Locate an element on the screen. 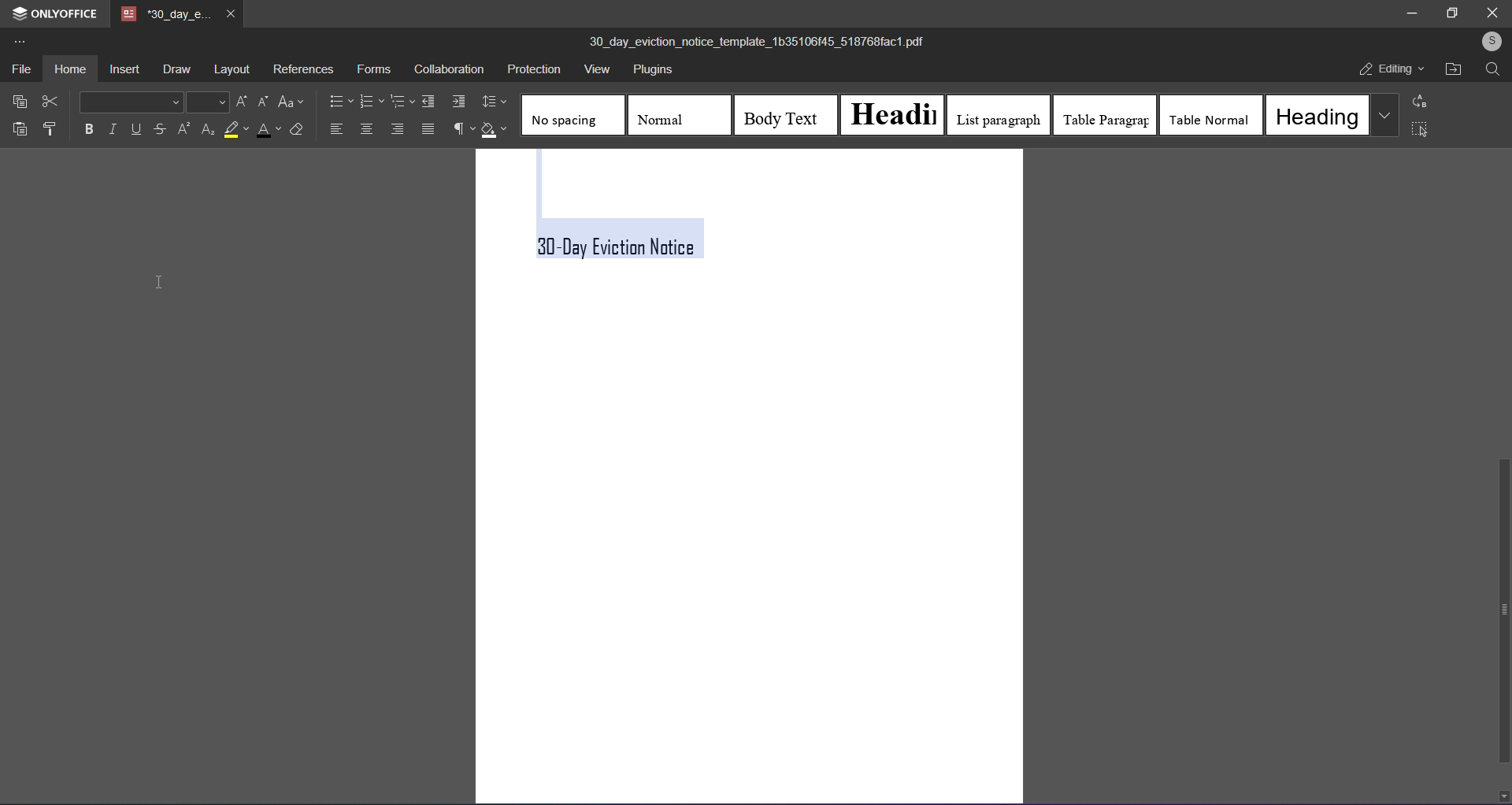  list paragraph is located at coordinates (999, 116).